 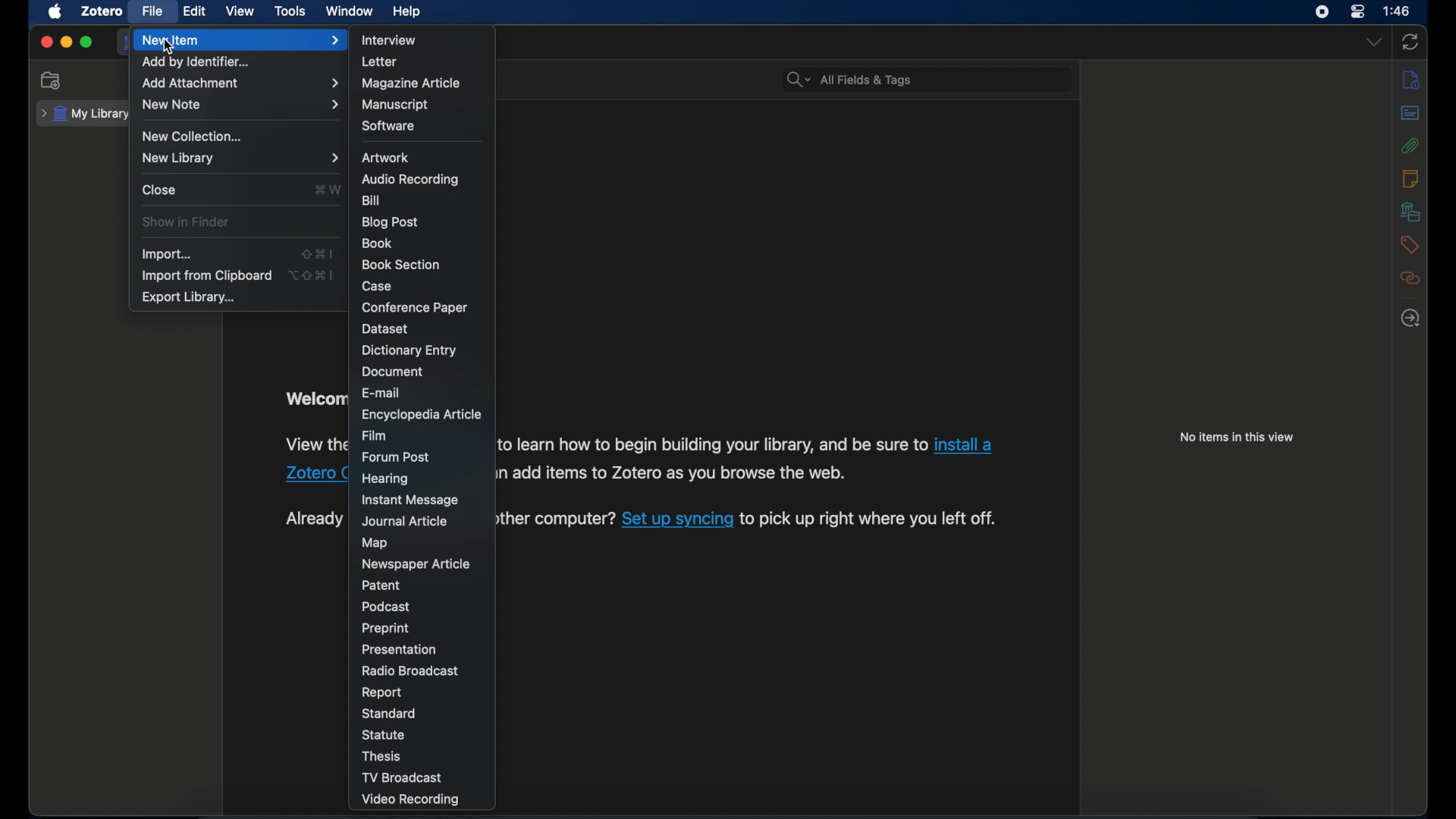 What do you see at coordinates (152, 11) in the screenshot?
I see `file` at bounding box center [152, 11].